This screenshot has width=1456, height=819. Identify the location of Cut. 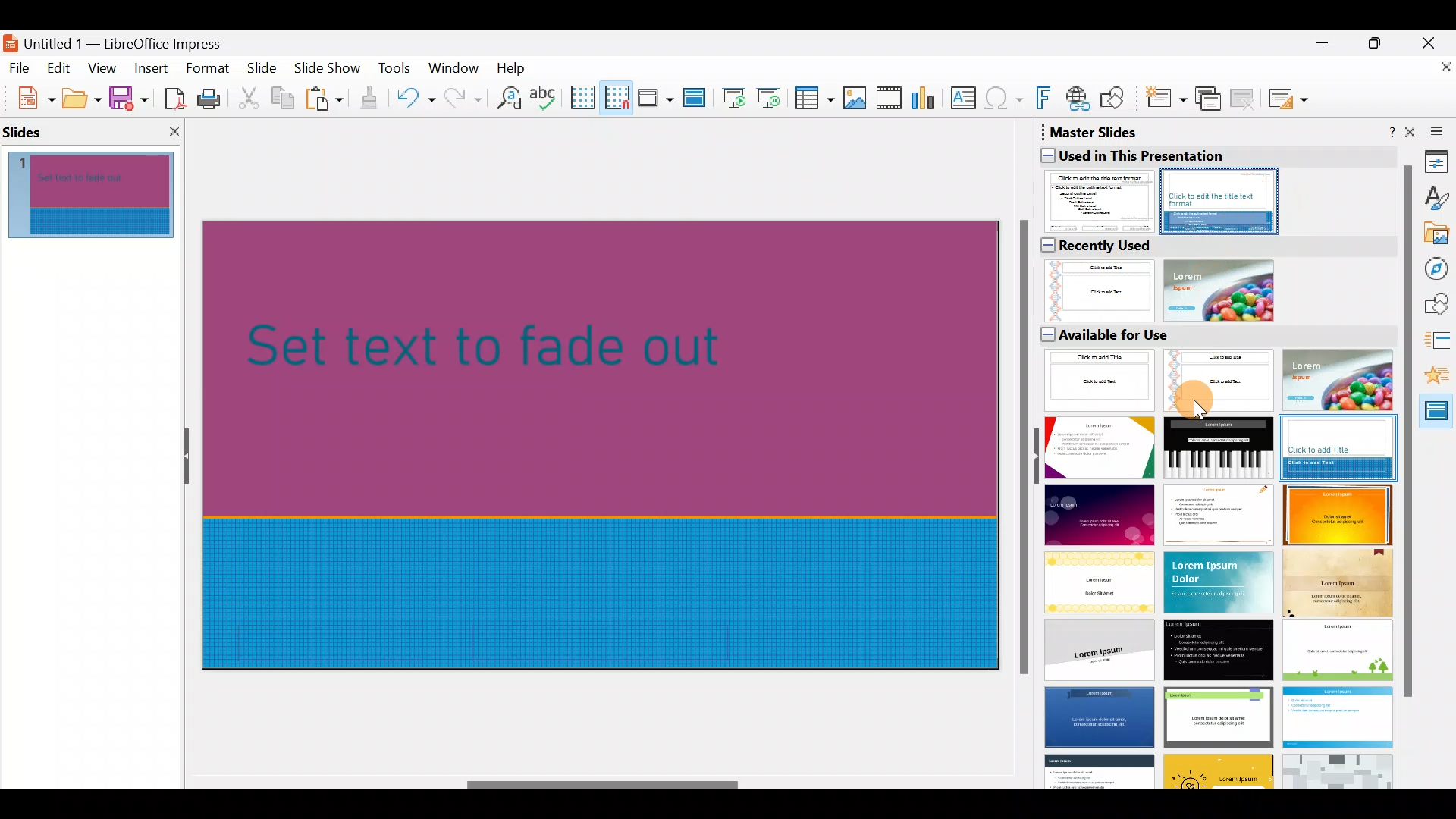
(251, 99).